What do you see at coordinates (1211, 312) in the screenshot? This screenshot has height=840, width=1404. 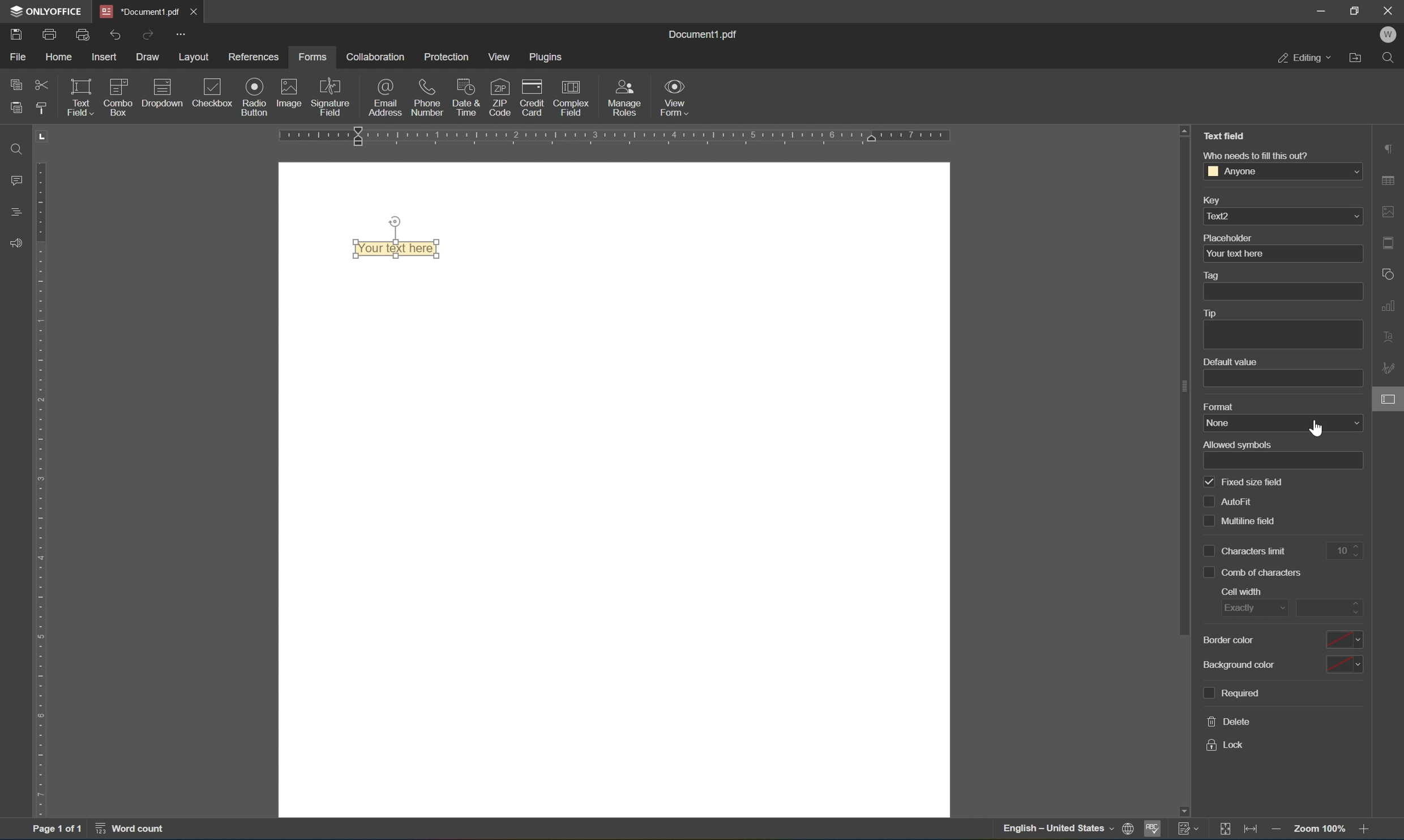 I see `tip` at bounding box center [1211, 312].